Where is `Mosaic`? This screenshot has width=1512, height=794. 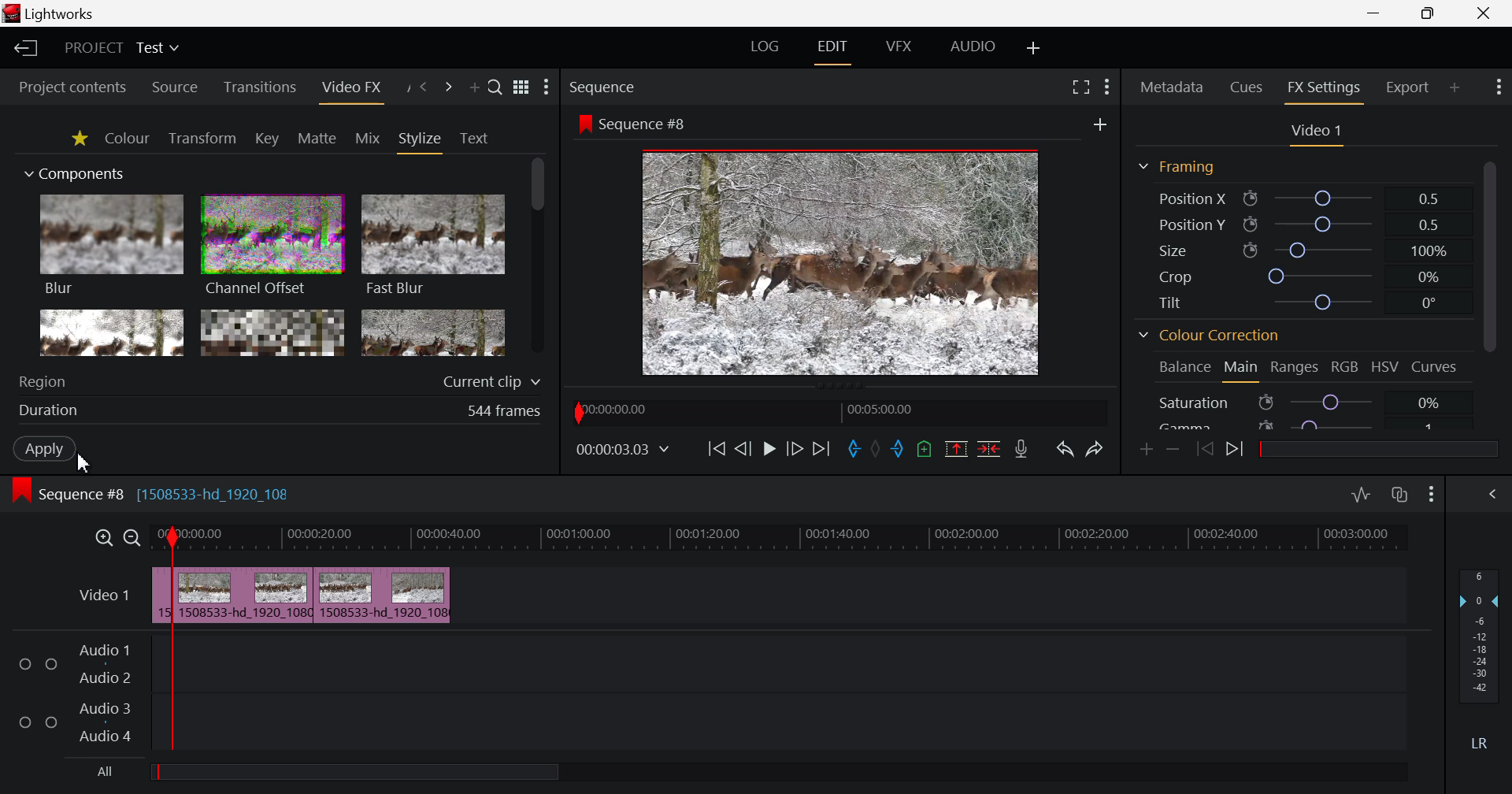
Mosaic is located at coordinates (271, 332).